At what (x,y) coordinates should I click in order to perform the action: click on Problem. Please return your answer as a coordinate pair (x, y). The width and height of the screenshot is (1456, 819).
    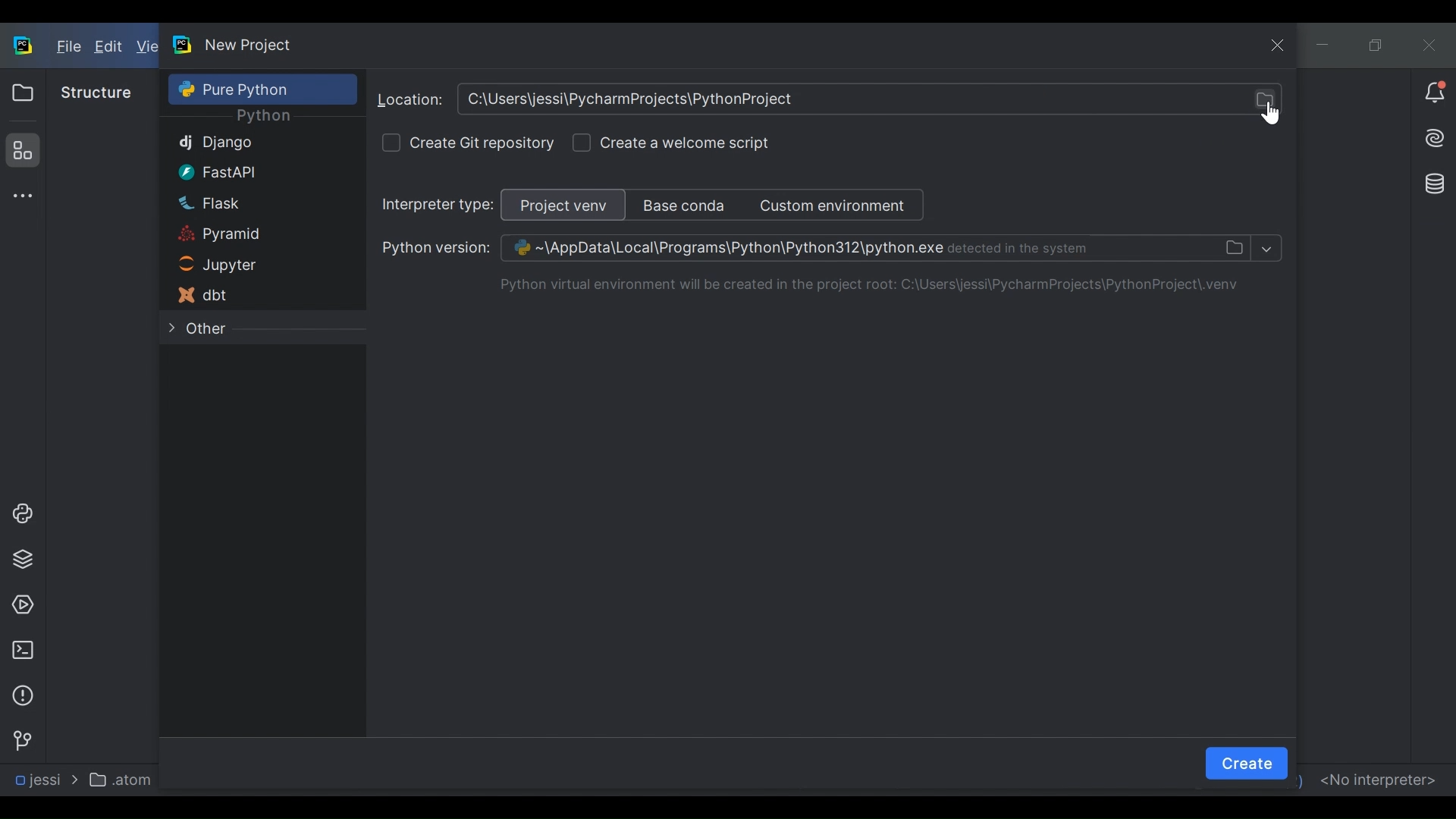
    Looking at the image, I should click on (22, 695).